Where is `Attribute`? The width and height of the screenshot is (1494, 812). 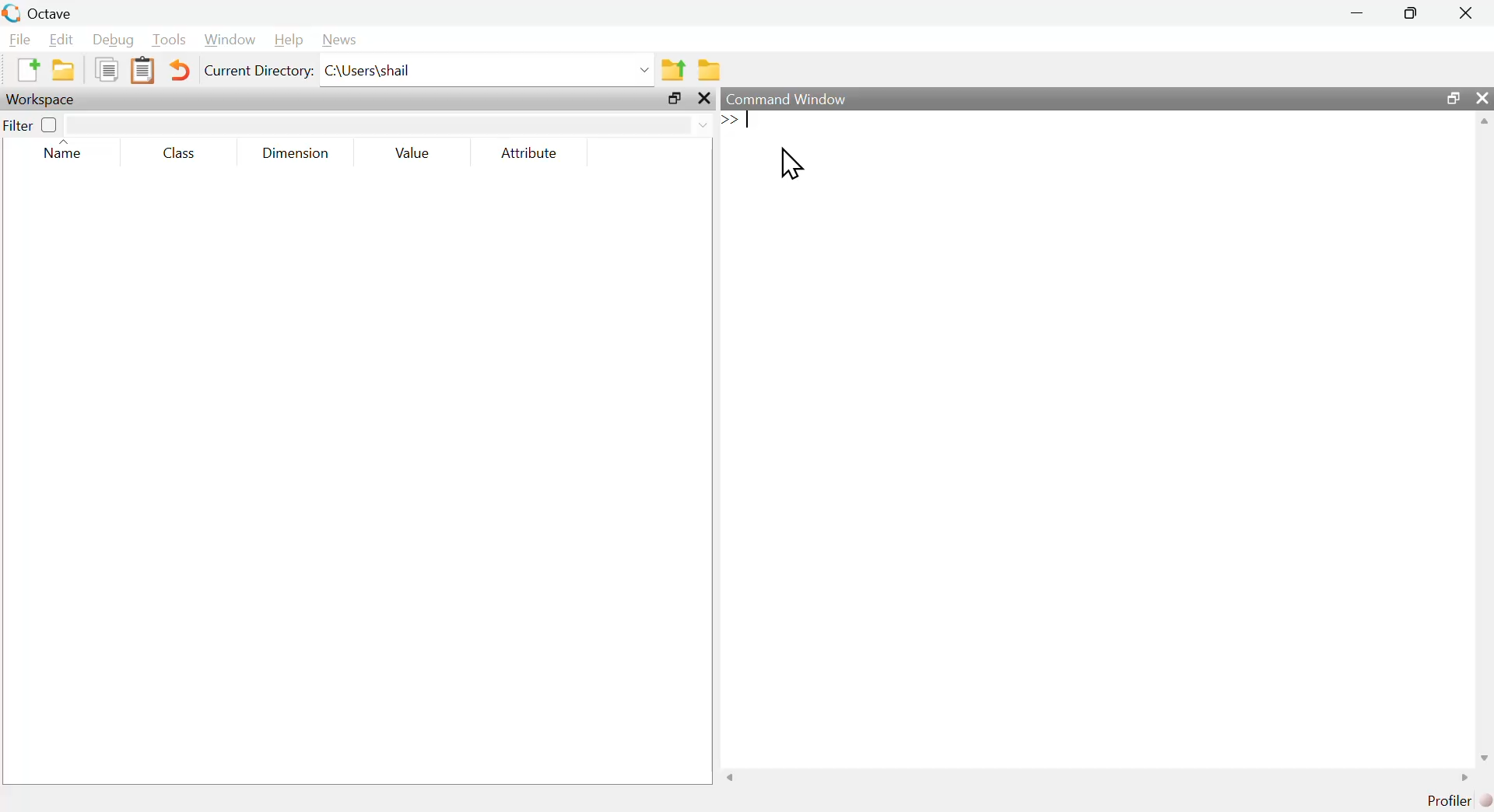 Attribute is located at coordinates (531, 152).